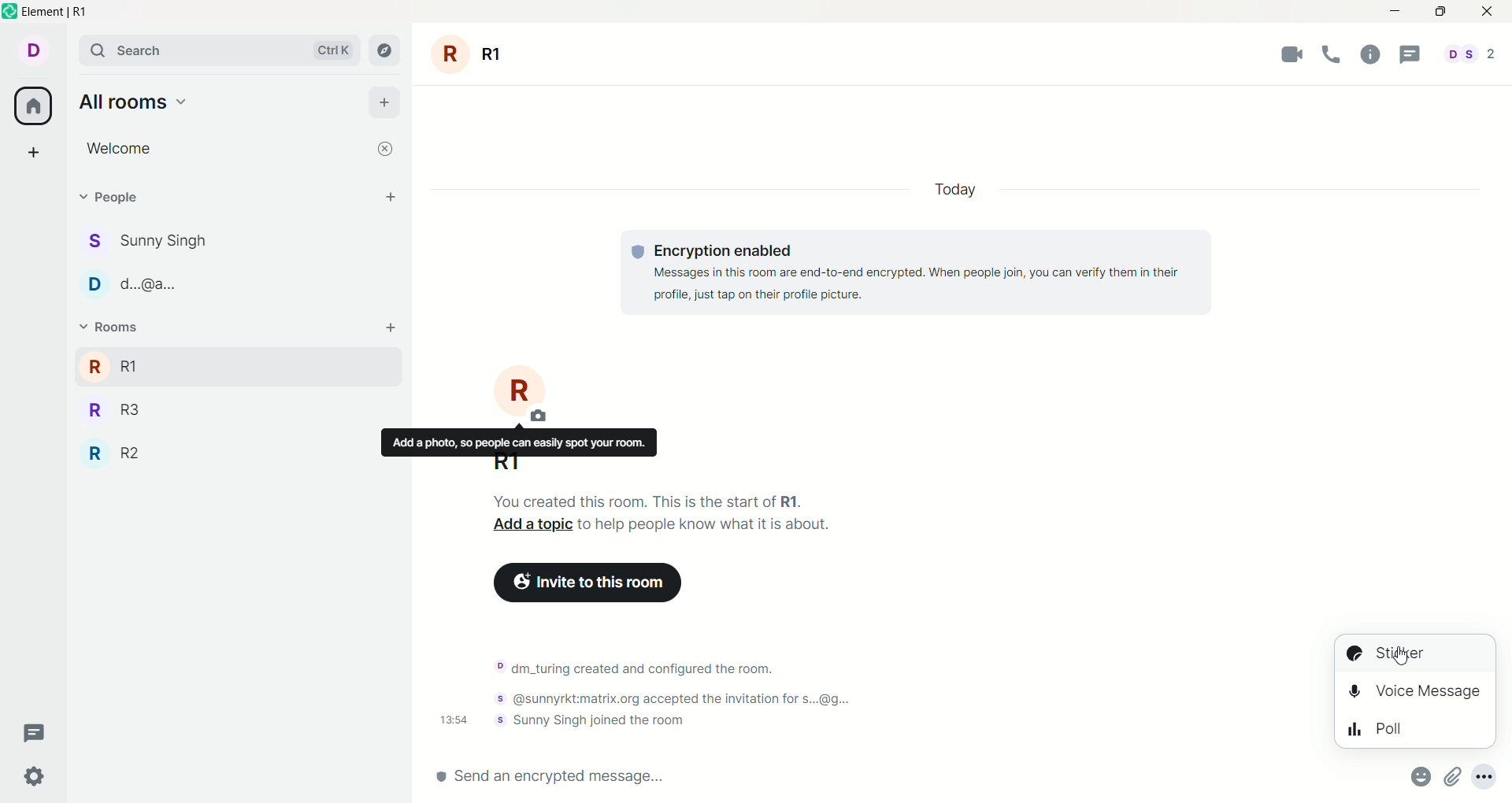  Describe the element at coordinates (1440, 12) in the screenshot. I see `maximize` at that location.